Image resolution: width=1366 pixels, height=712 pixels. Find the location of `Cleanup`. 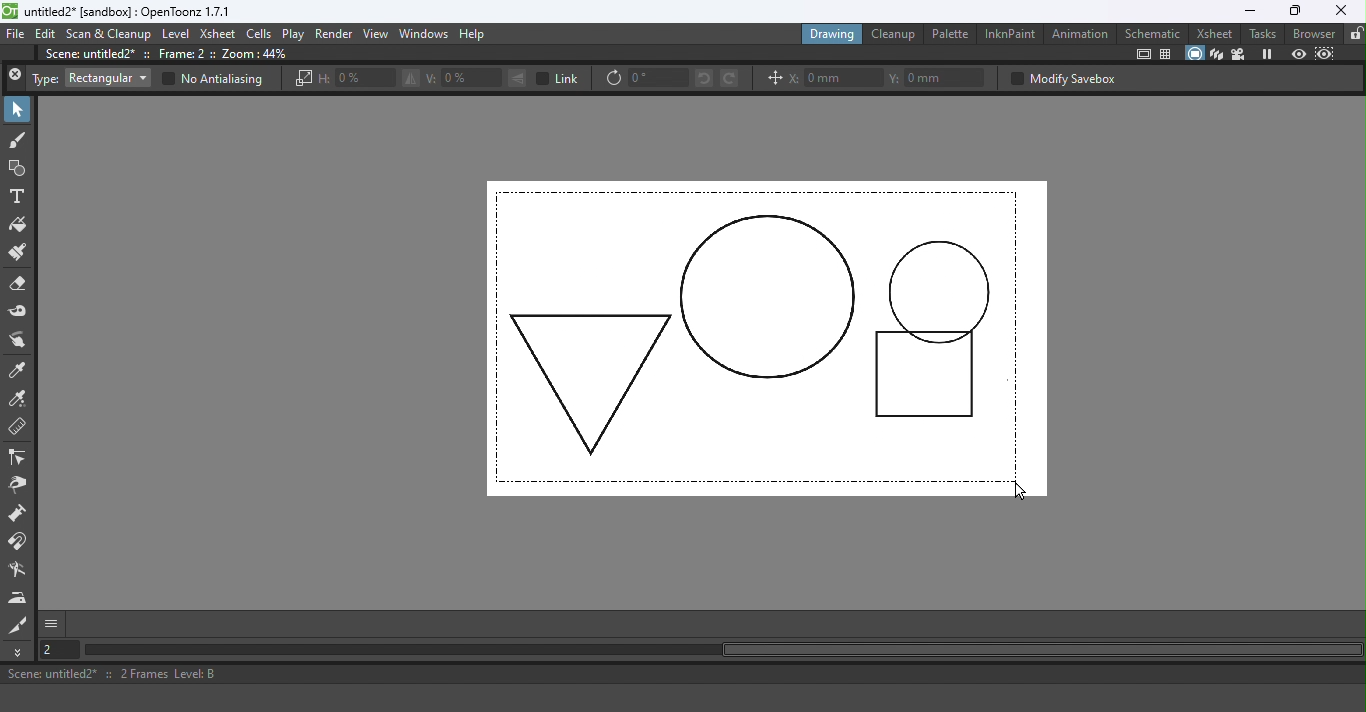

Cleanup is located at coordinates (894, 34).